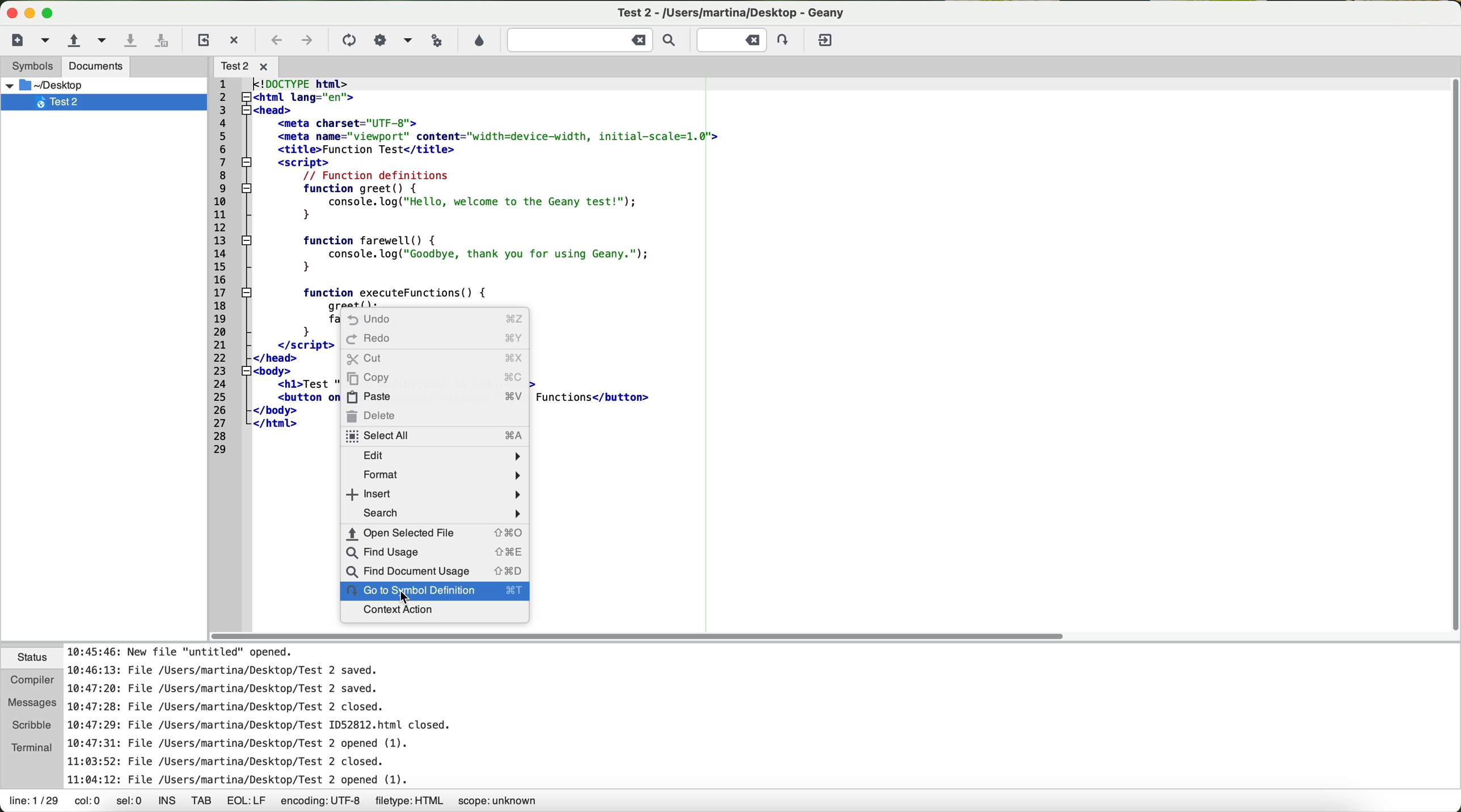  What do you see at coordinates (132, 41) in the screenshot?
I see `save the current file` at bounding box center [132, 41].